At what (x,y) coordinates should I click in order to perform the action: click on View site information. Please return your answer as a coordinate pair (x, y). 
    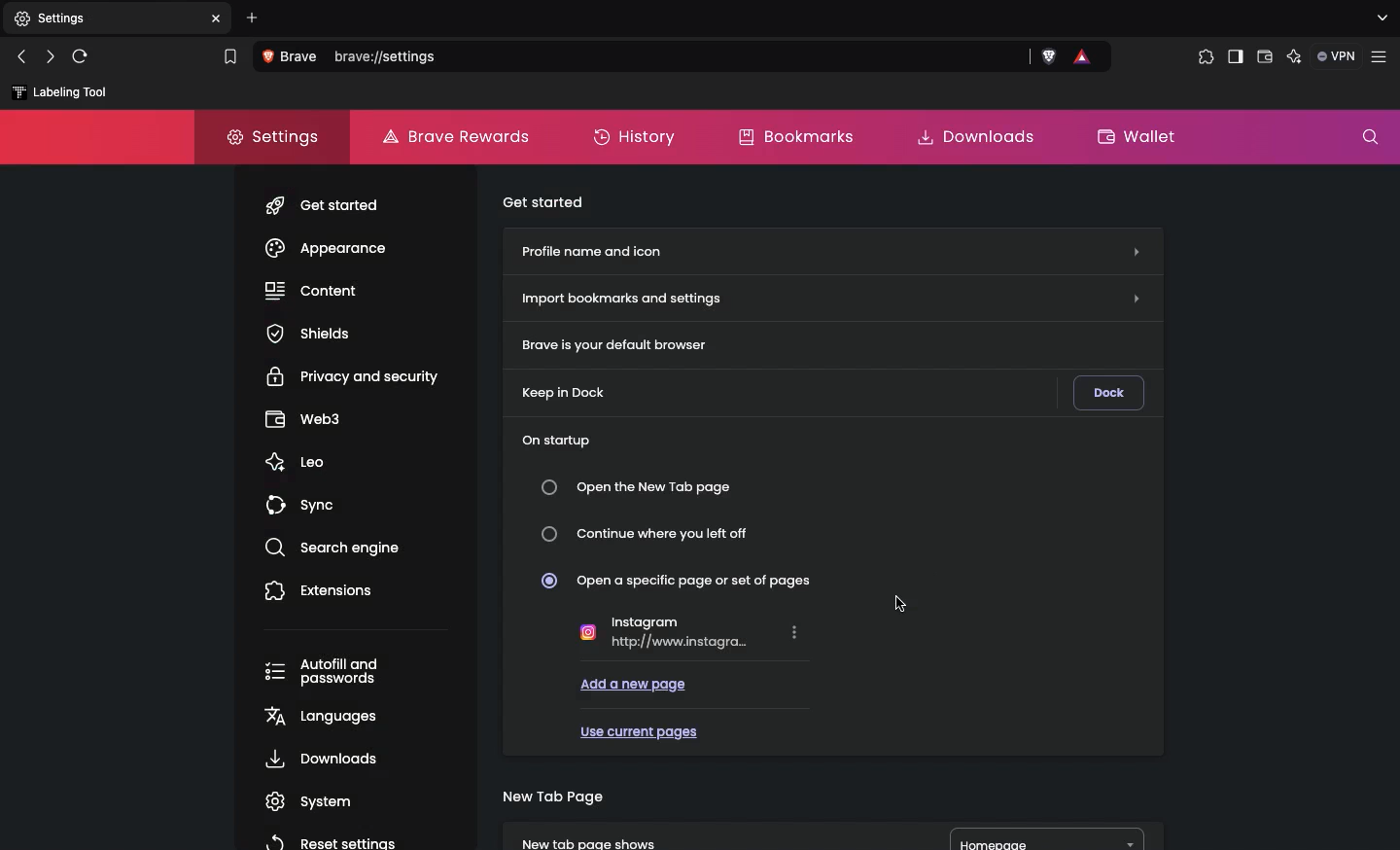
    Looking at the image, I should click on (294, 57).